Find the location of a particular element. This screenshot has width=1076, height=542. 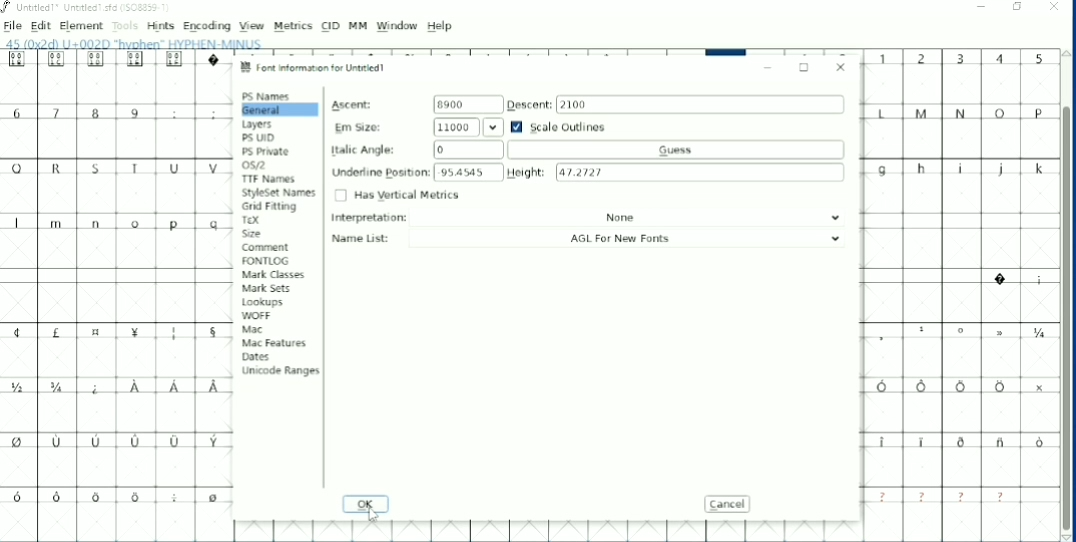

Vertical scrollbar is located at coordinates (1065, 321).